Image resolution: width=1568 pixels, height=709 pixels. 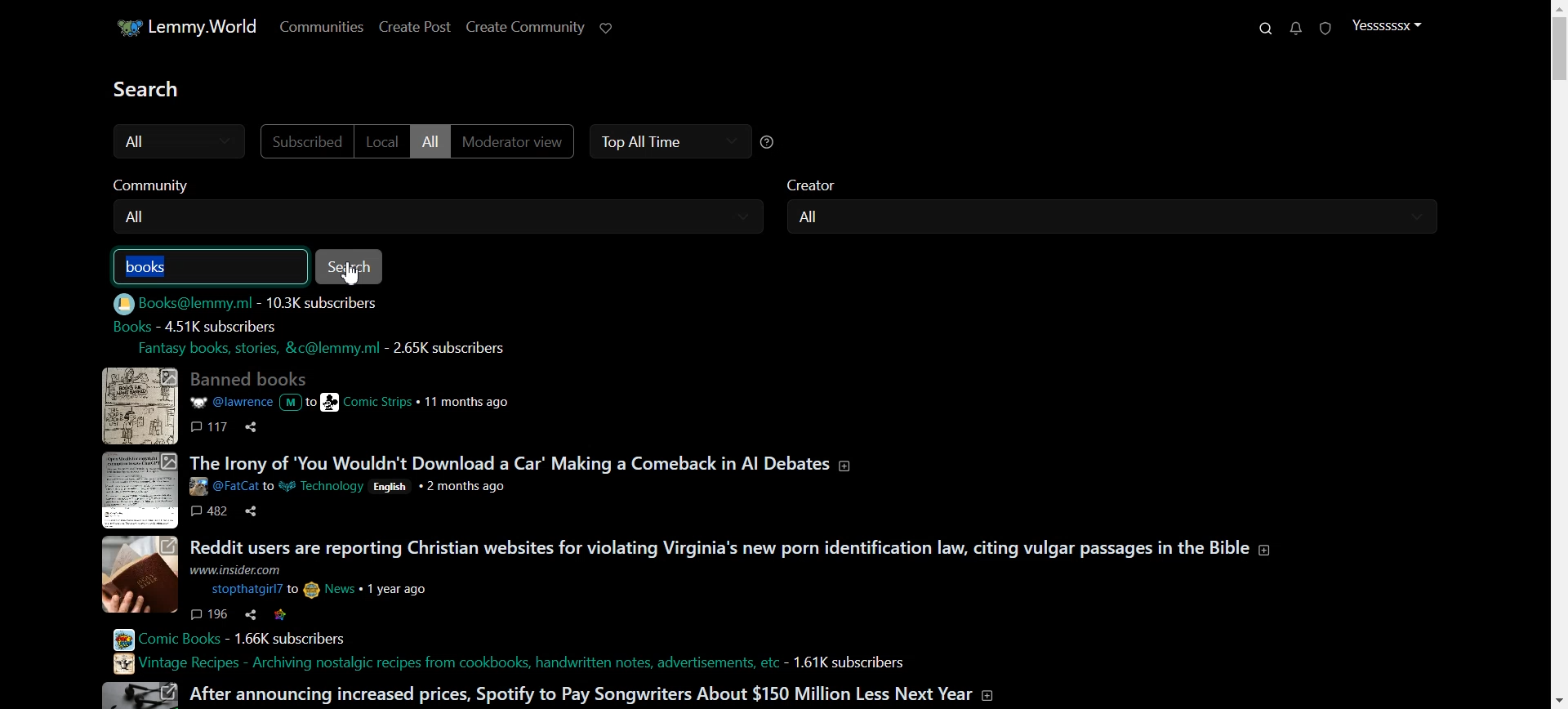 I want to click on post details, so click(x=348, y=402).